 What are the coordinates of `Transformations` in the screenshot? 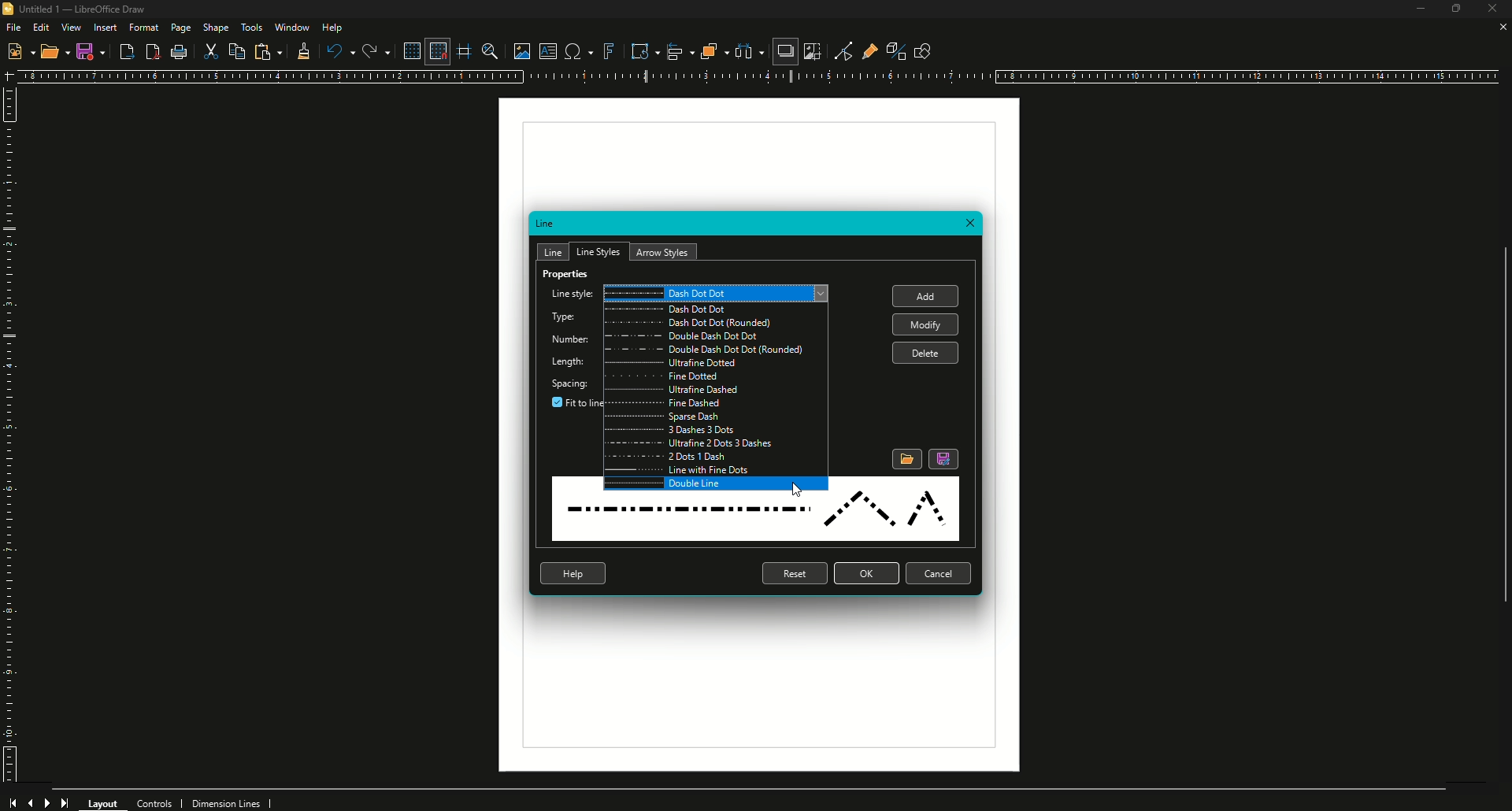 It's located at (638, 50).